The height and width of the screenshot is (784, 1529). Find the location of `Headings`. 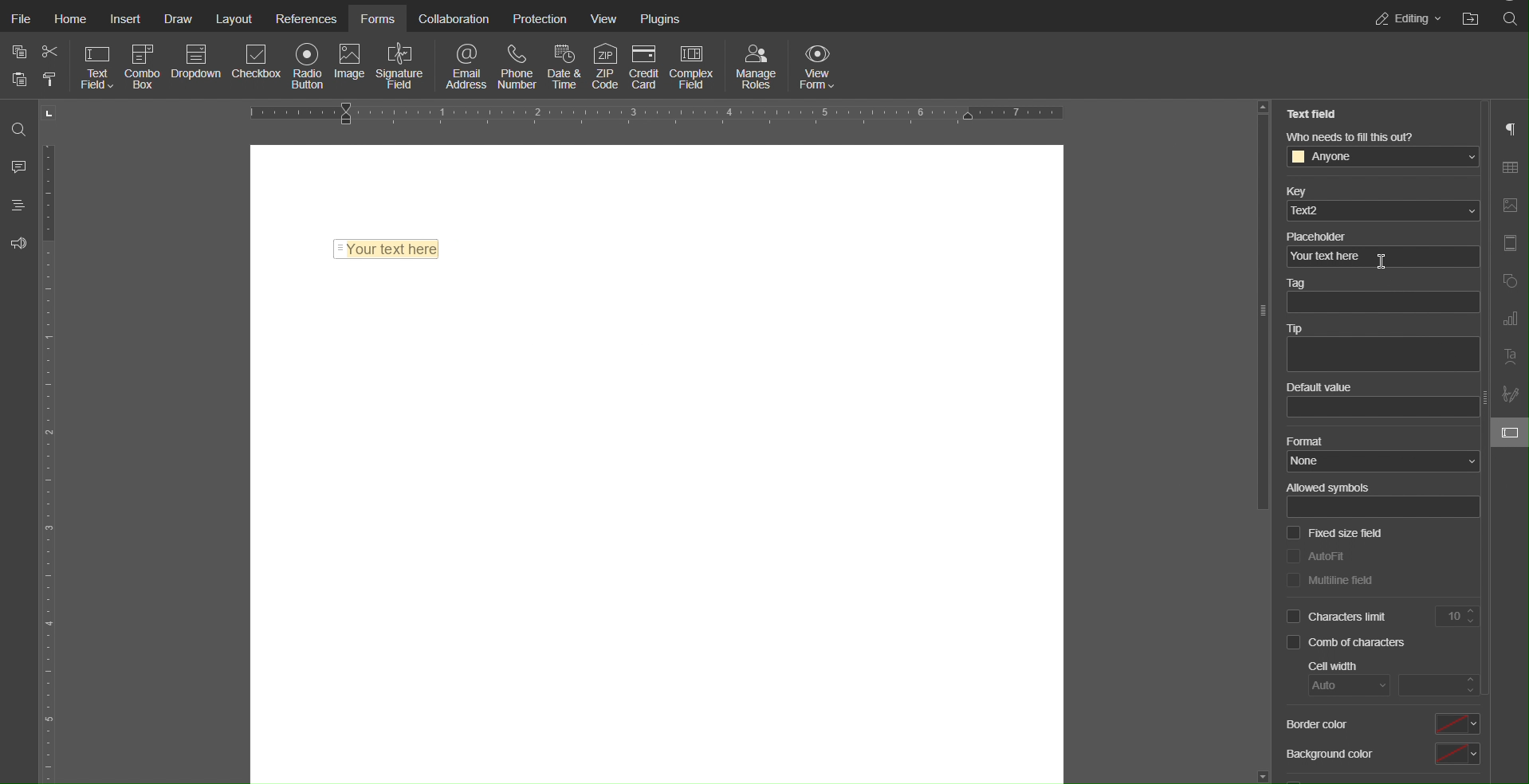

Headings is located at coordinates (19, 204).